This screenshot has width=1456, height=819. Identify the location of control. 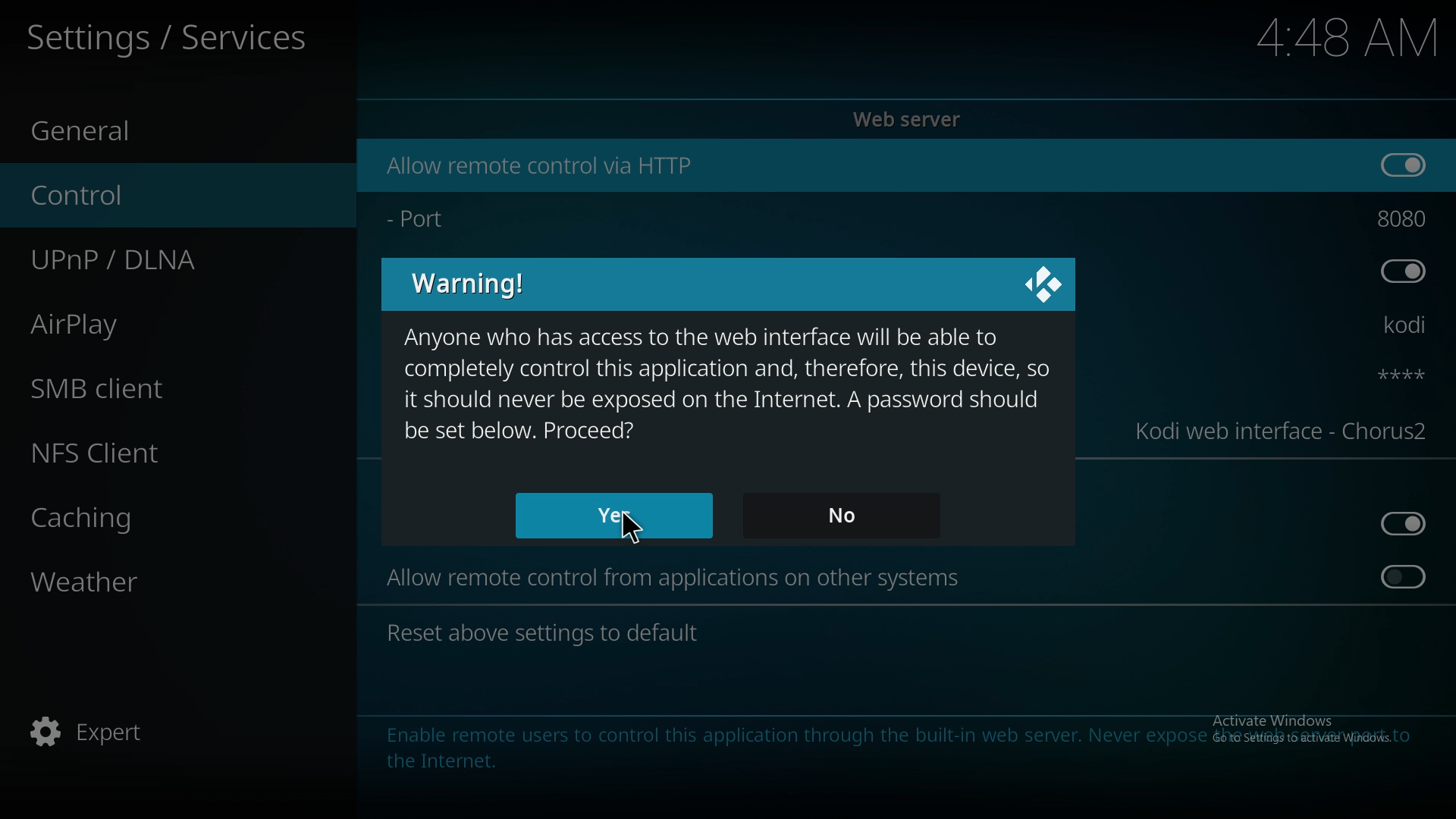
(111, 194).